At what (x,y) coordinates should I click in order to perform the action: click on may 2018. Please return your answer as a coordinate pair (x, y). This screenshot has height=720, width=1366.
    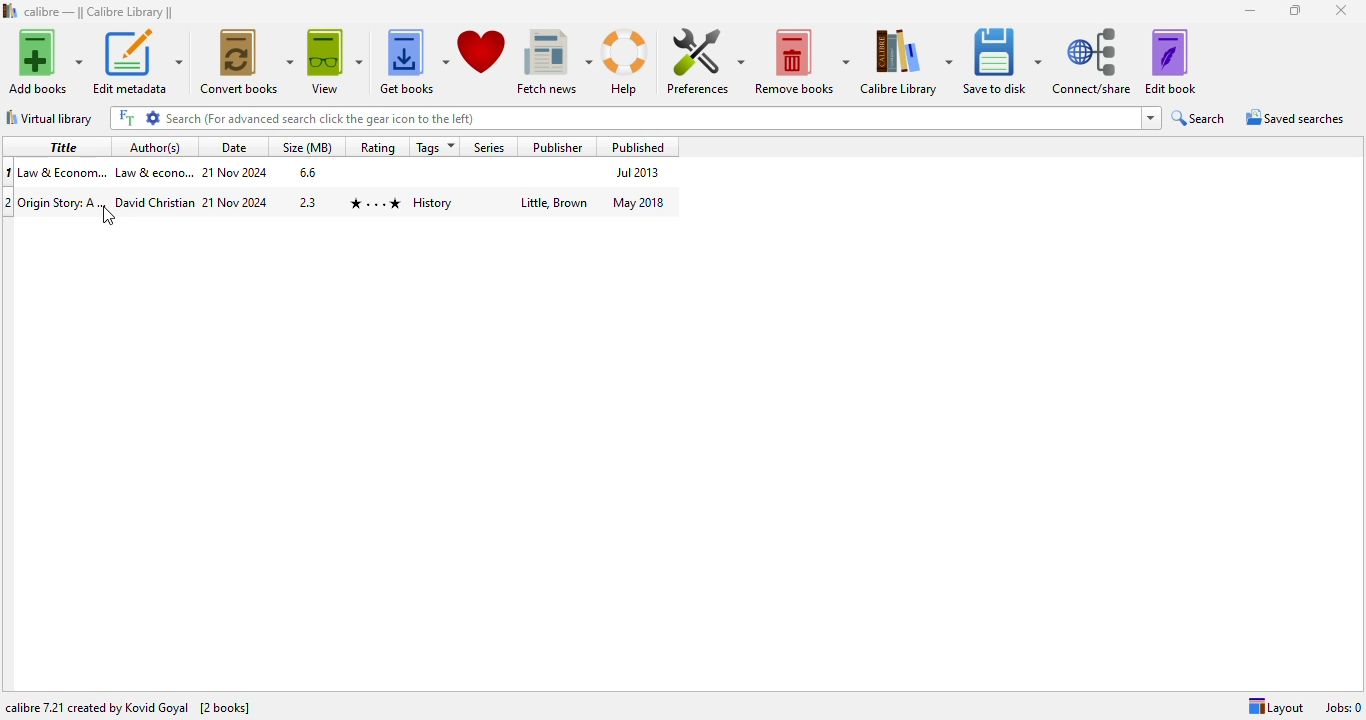
    Looking at the image, I should click on (638, 202).